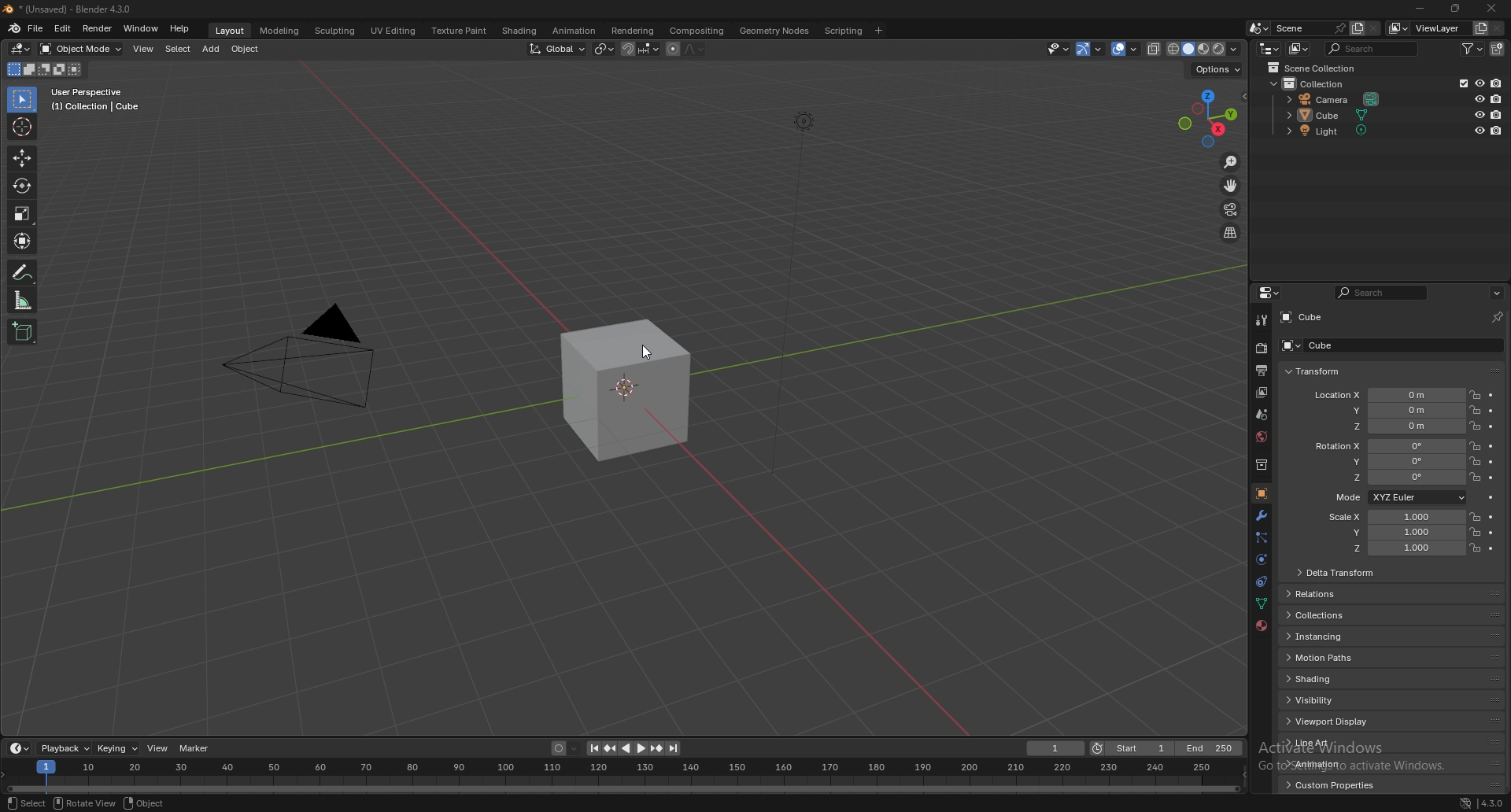 The width and height of the screenshot is (1511, 812). Describe the element at coordinates (1304, 317) in the screenshot. I see `cube` at that location.